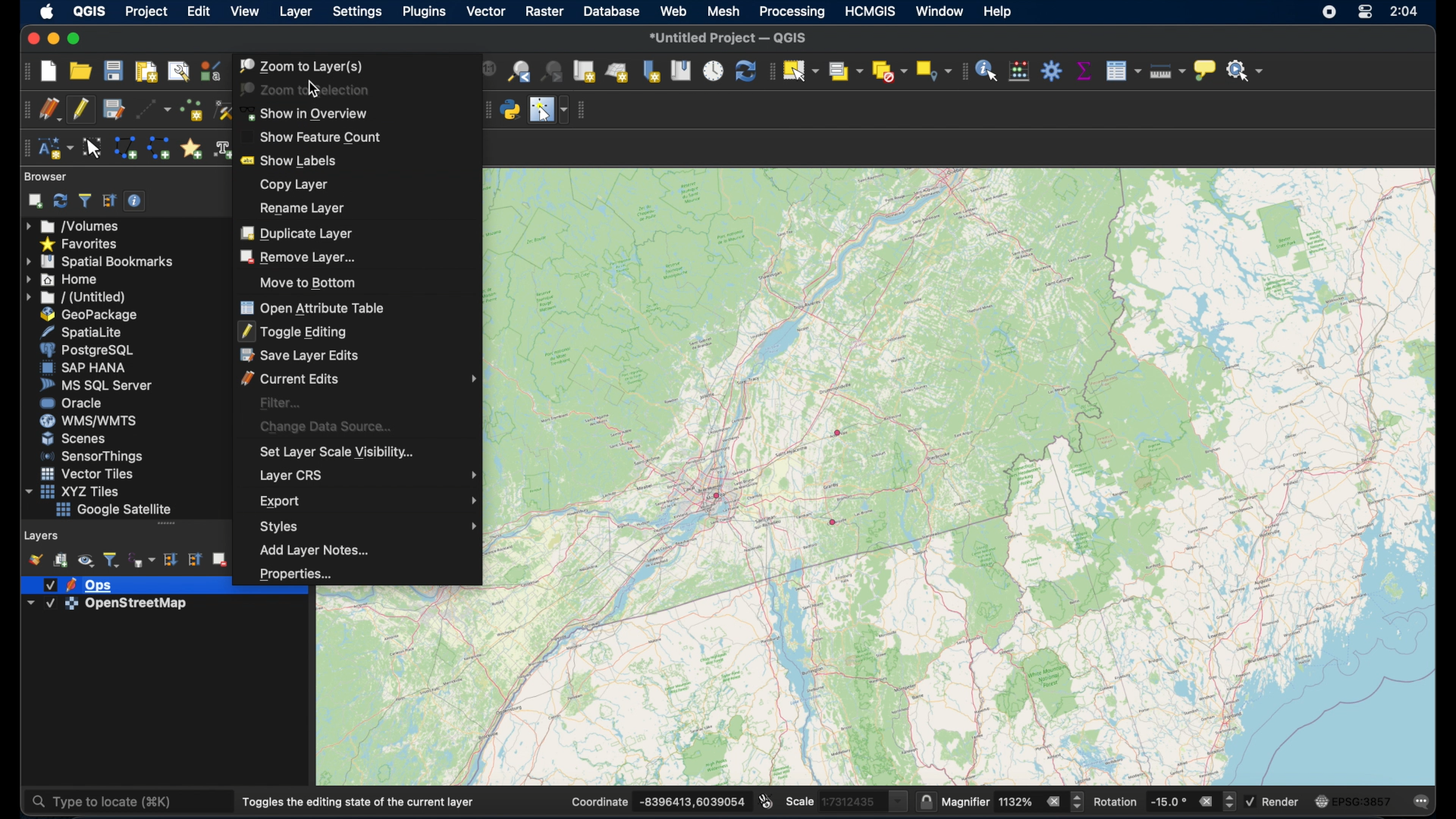  I want to click on rename layer, so click(299, 208).